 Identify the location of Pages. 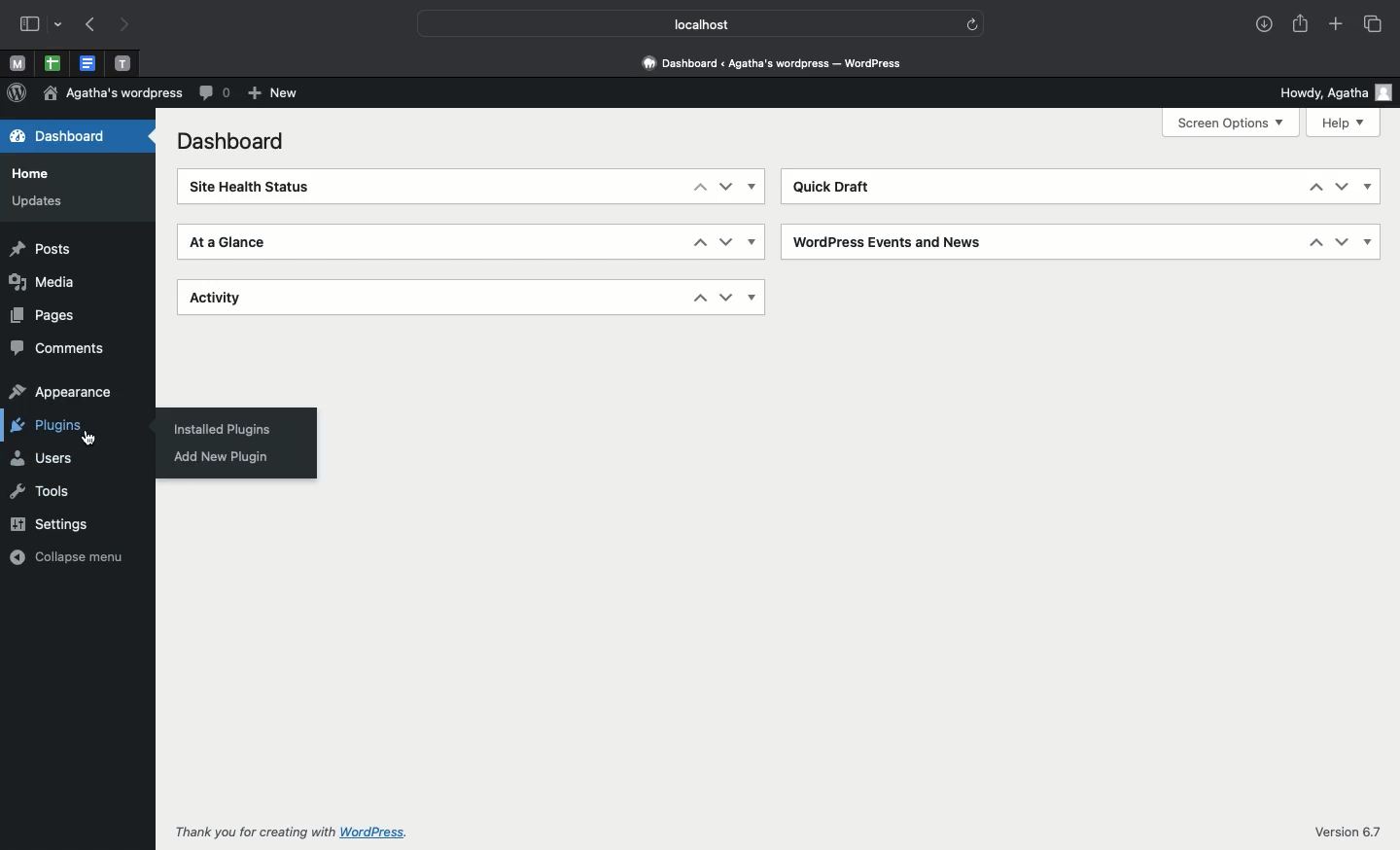
(44, 315).